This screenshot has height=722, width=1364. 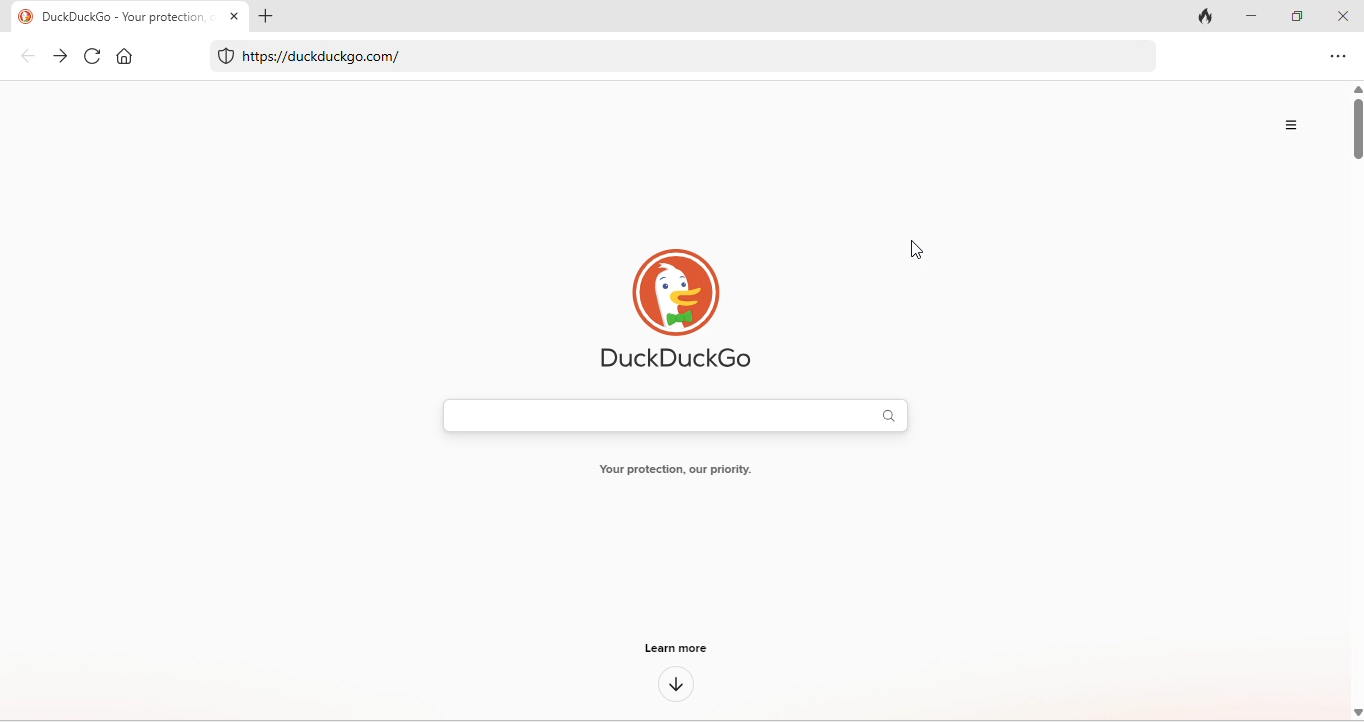 What do you see at coordinates (127, 58) in the screenshot?
I see `home` at bounding box center [127, 58].